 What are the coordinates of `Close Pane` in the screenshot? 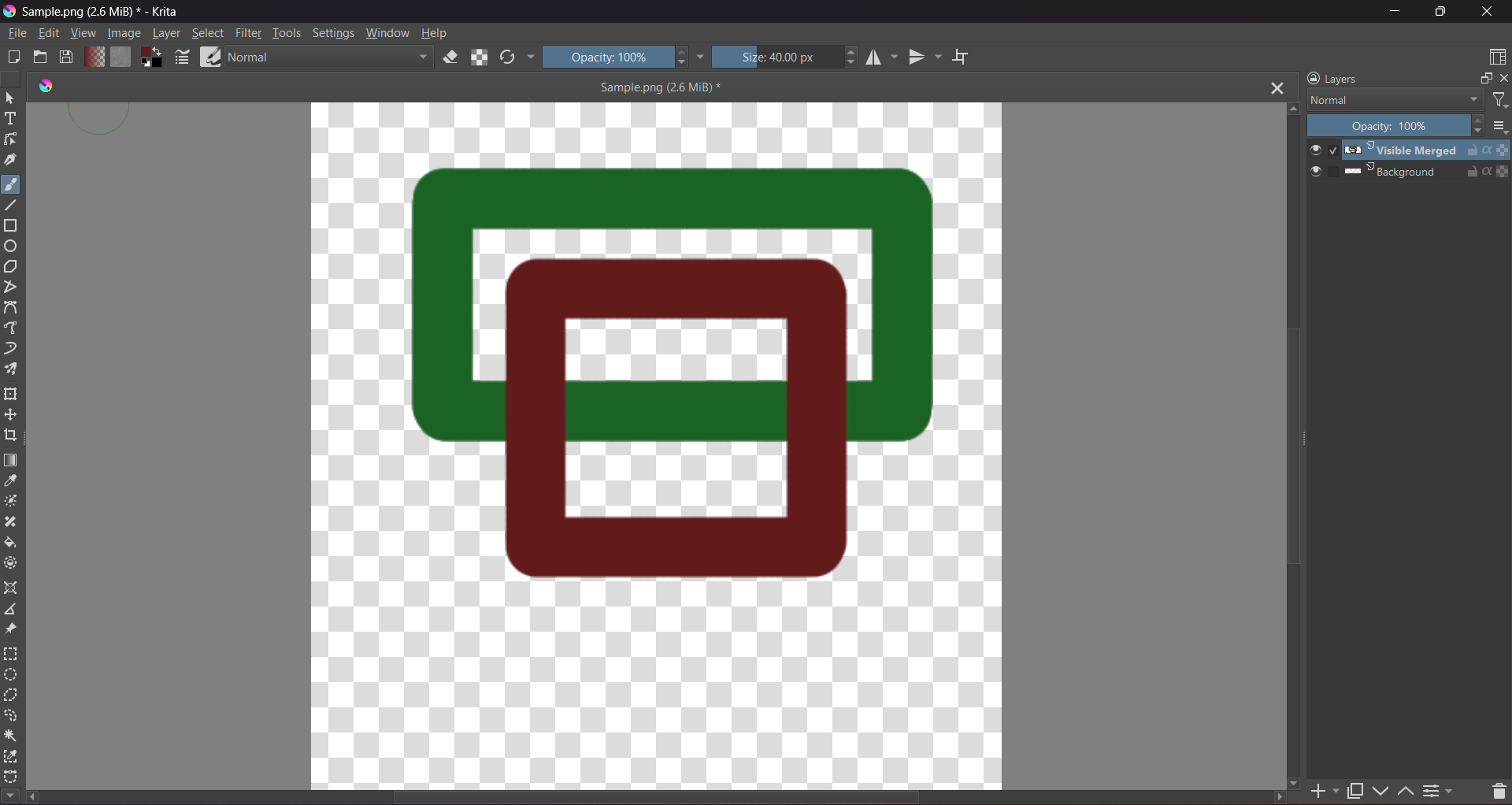 It's located at (1507, 82).